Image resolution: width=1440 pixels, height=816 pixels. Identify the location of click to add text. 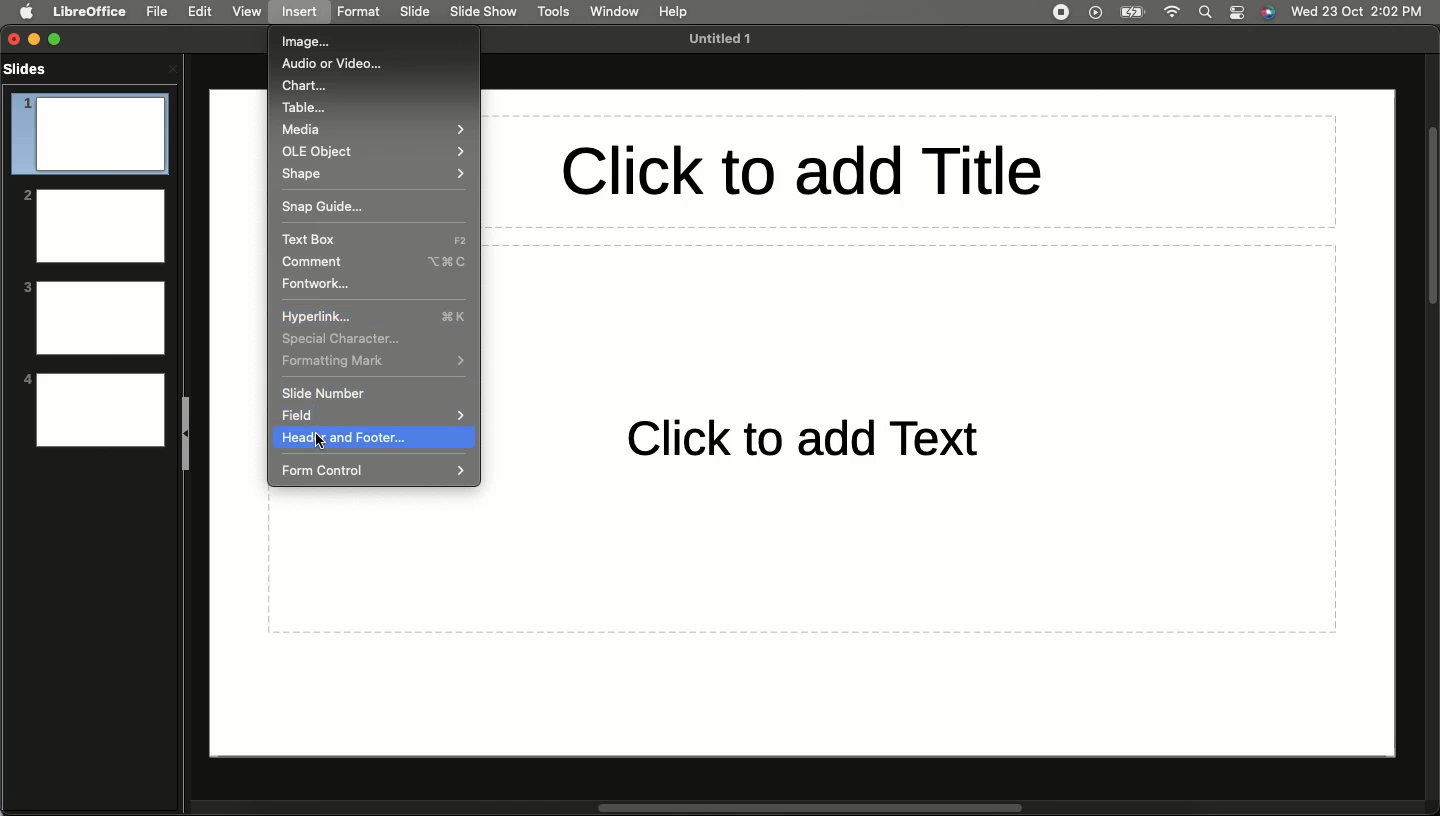
(783, 438).